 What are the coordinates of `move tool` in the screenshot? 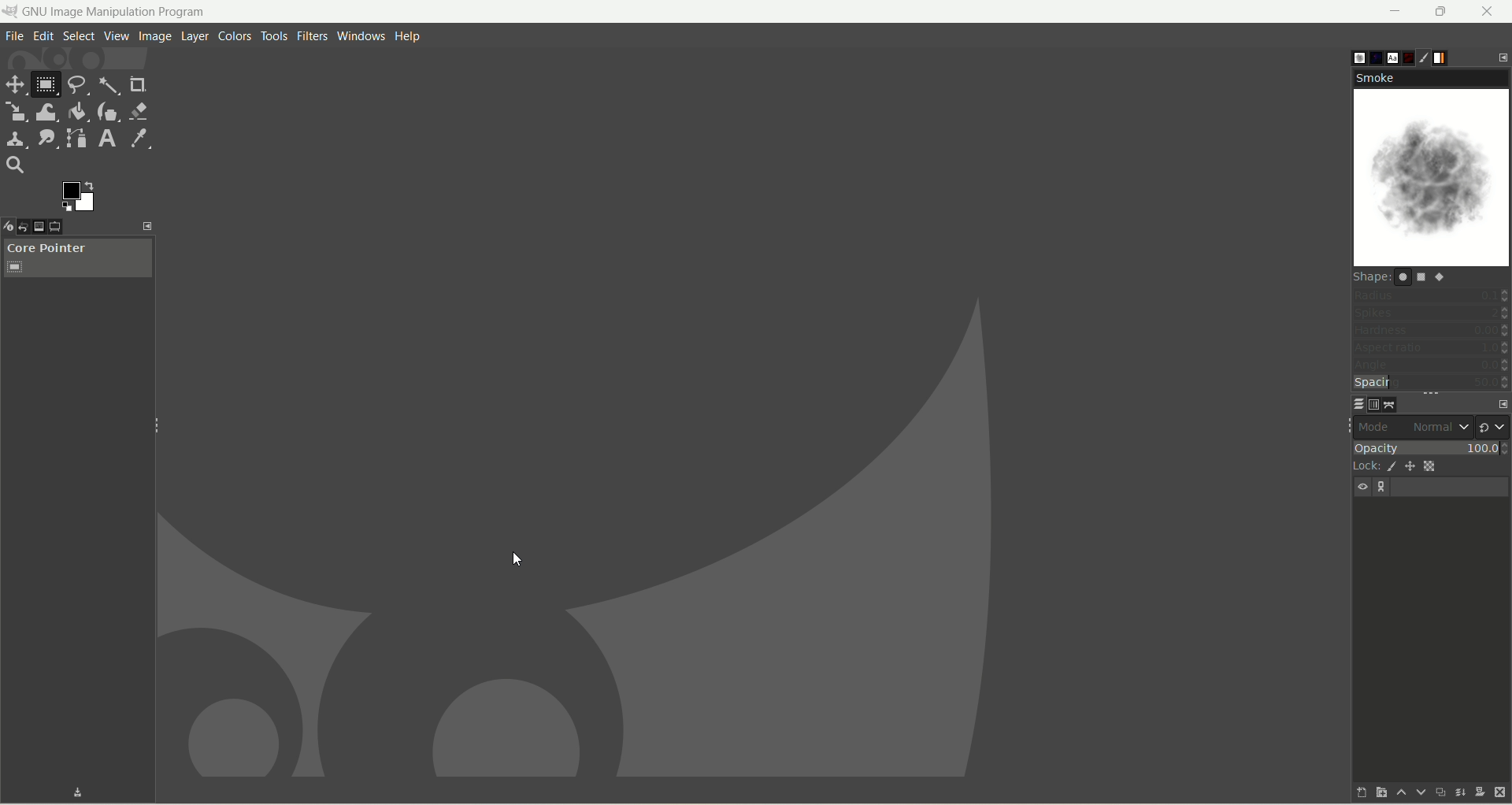 It's located at (16, 86).